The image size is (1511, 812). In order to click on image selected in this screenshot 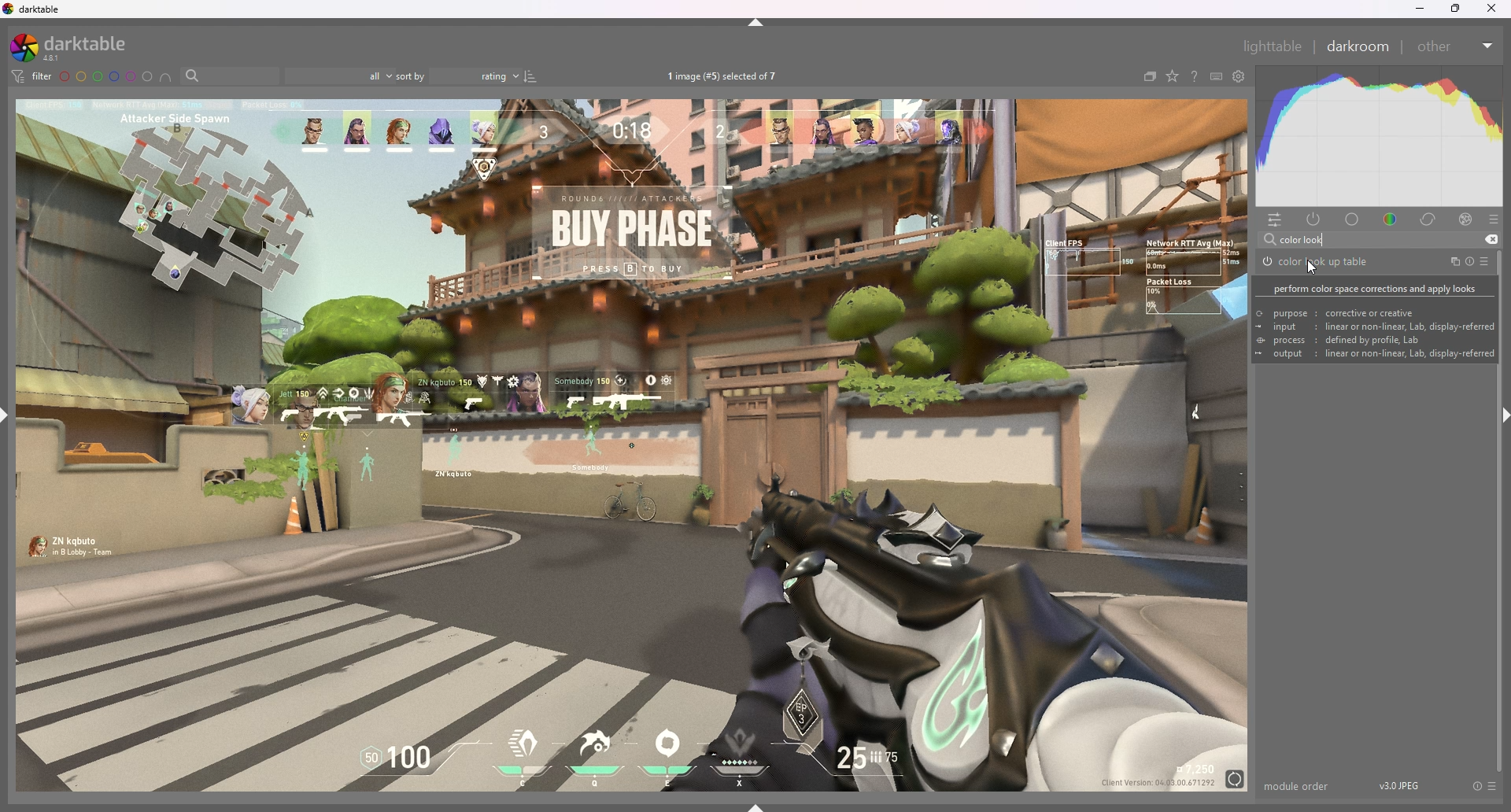, I will do `click(728, 76)`.